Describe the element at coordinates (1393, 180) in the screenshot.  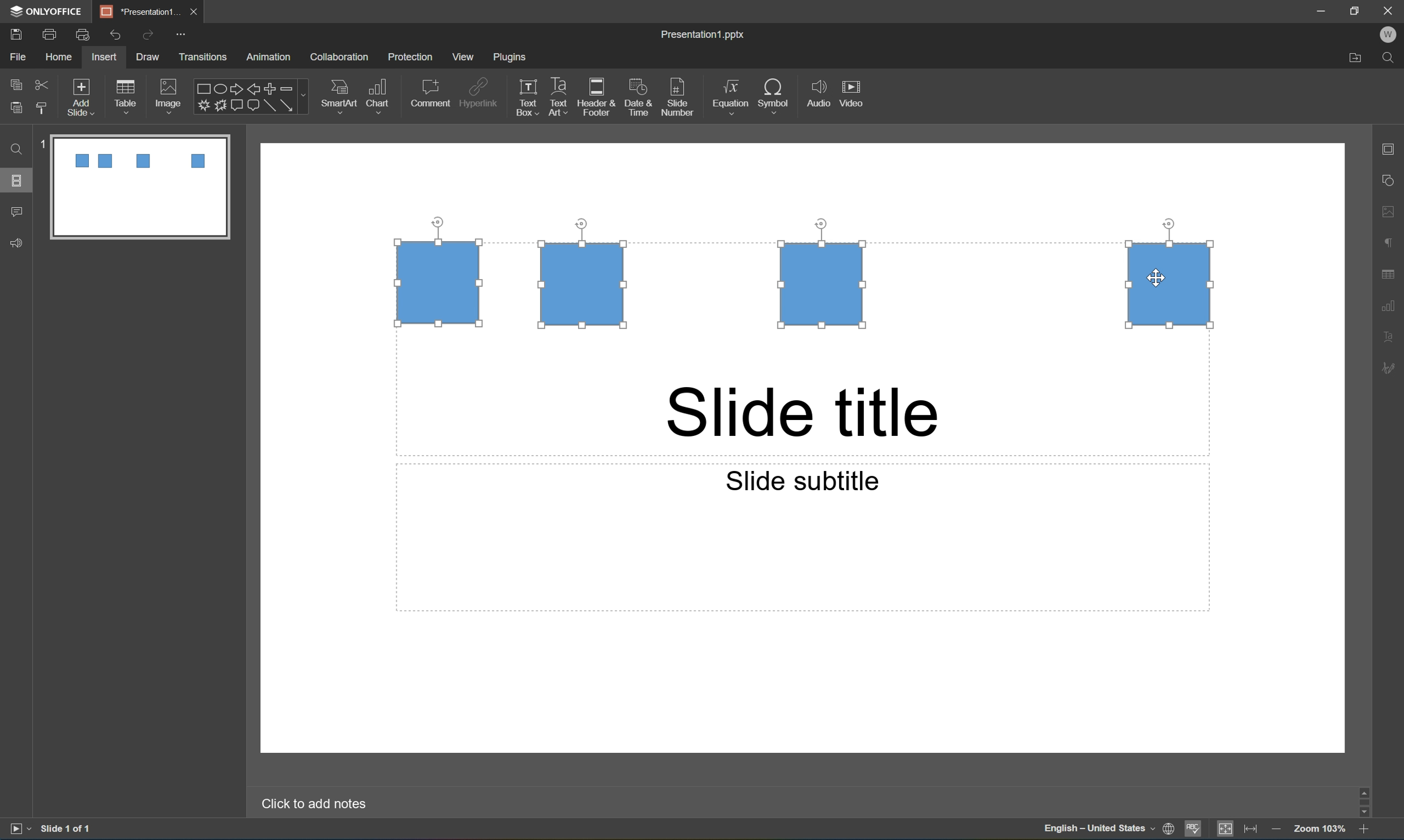
I see `shape settings` at that location.